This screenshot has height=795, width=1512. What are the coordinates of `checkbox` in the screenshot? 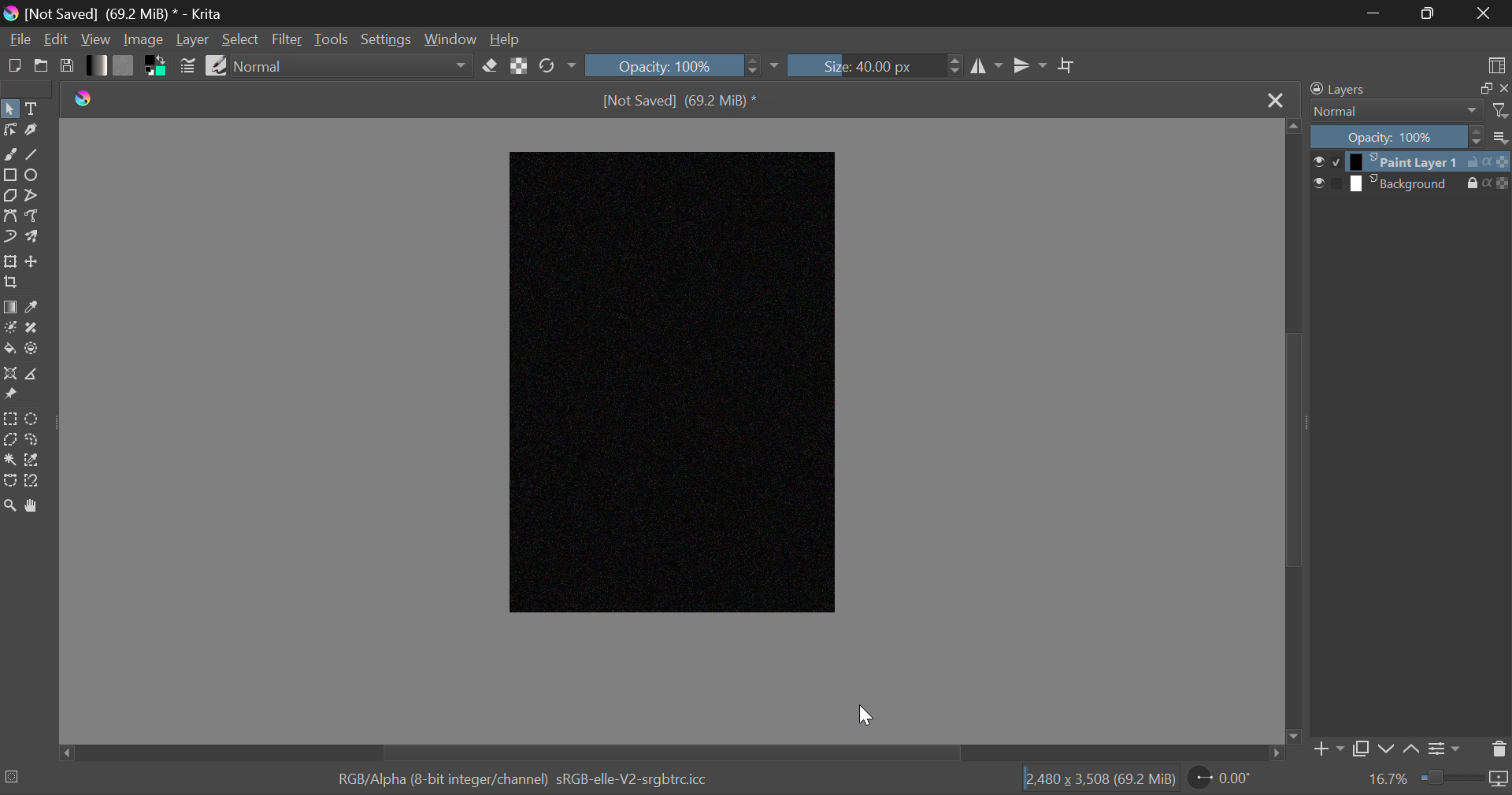 It's located at (1333, 162).